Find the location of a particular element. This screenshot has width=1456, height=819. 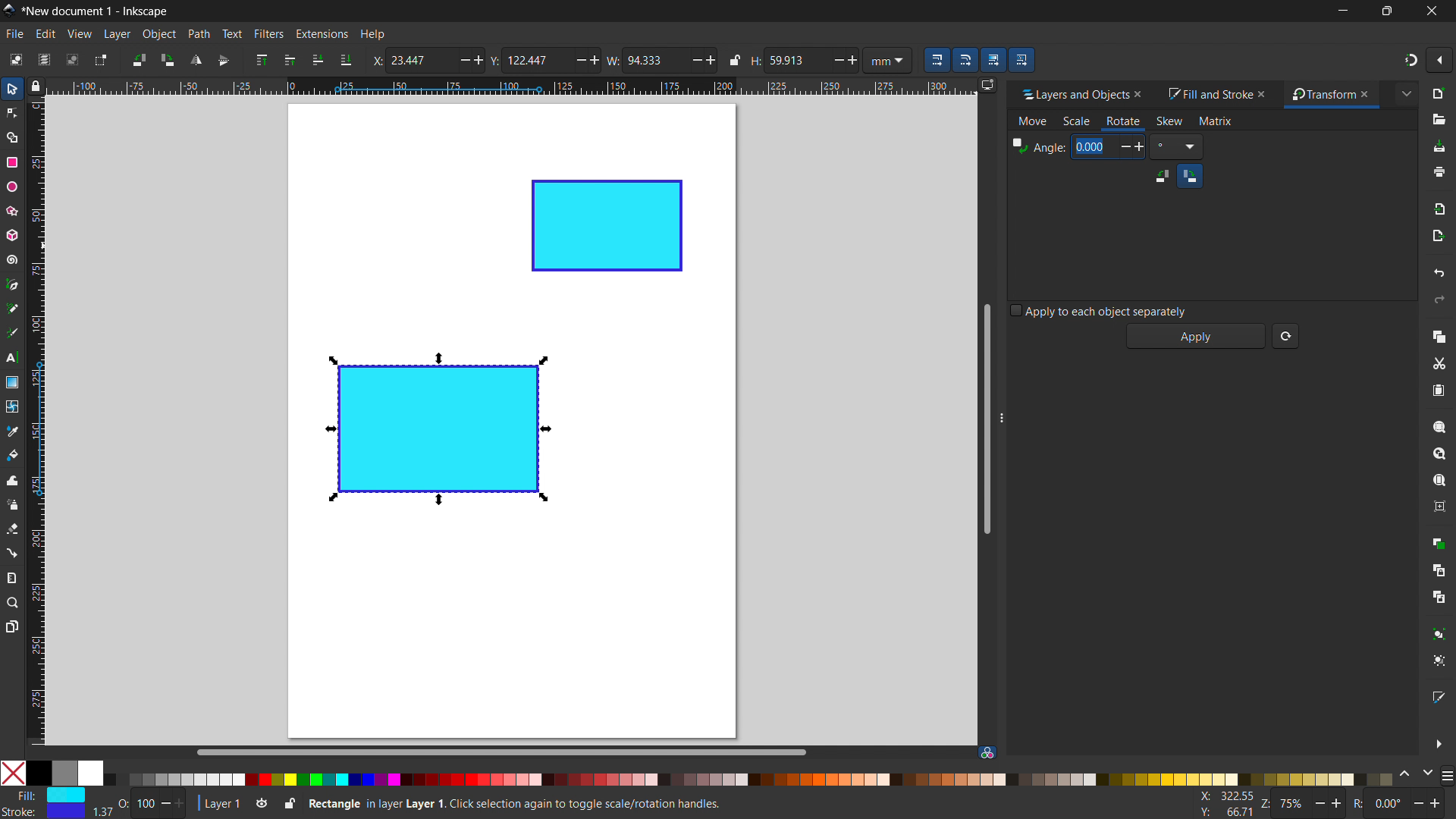

H: 59.913 is located at coordinates (781, 60).